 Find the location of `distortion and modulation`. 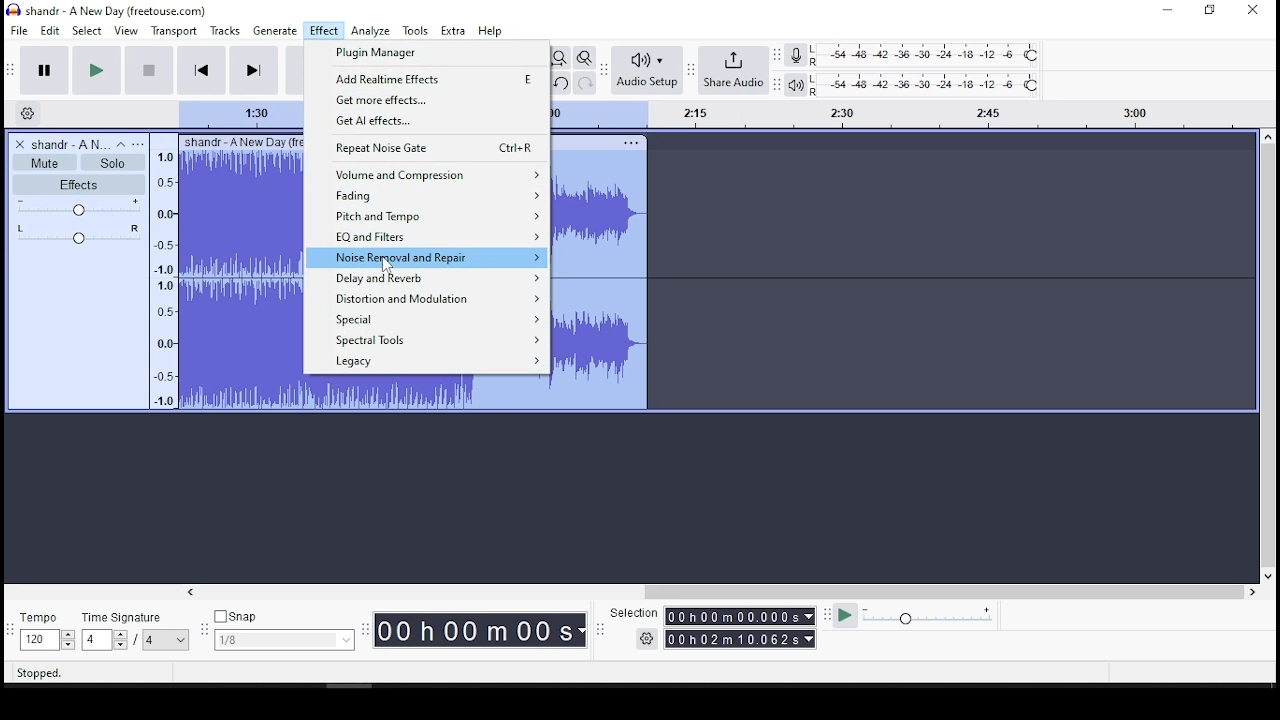

distortion and modulation is located at coordinates (425, 298).